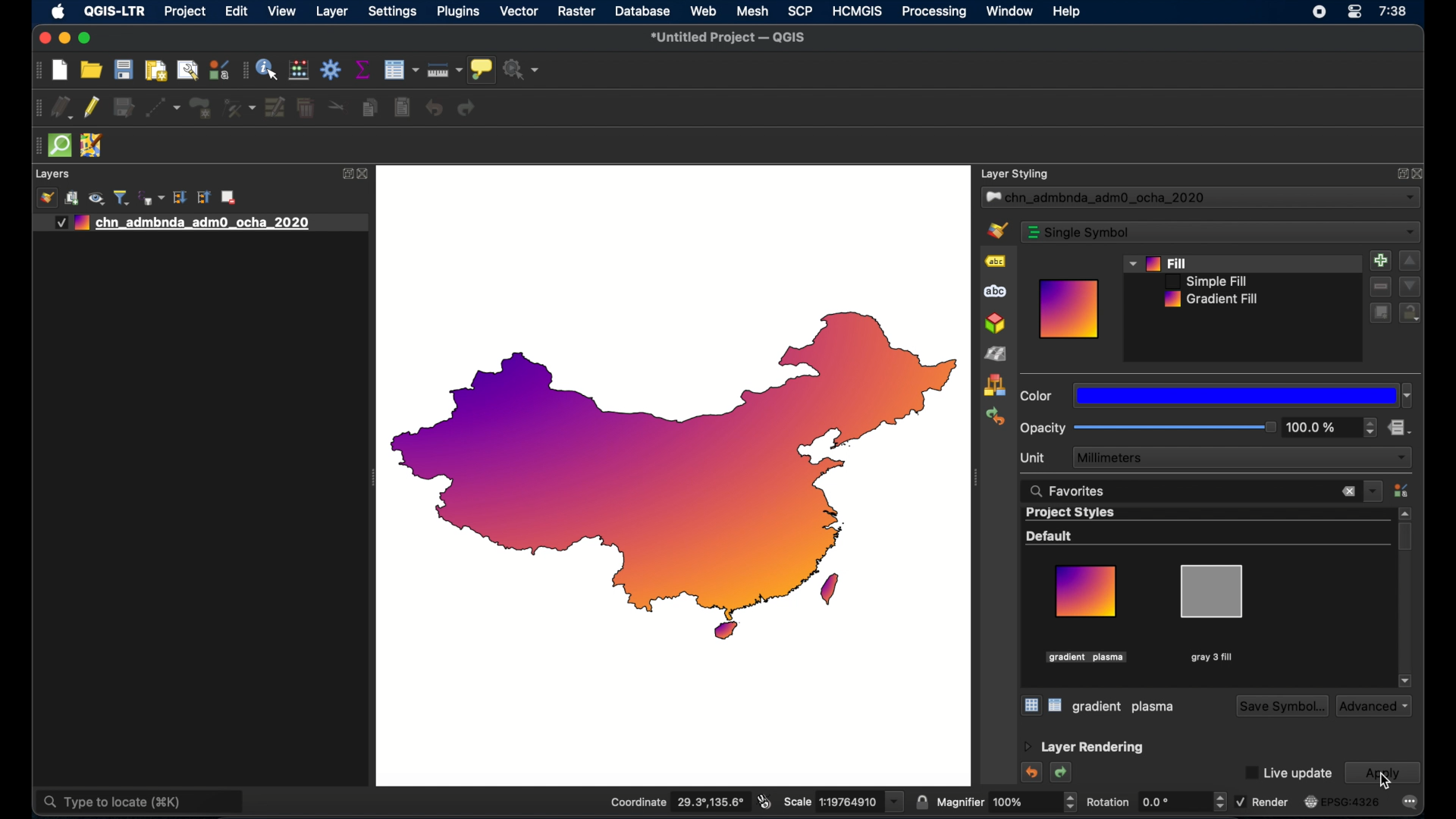 The width and height of the screenshot is (1456, 819). I want to click on vertex tool, so click(239, 108).